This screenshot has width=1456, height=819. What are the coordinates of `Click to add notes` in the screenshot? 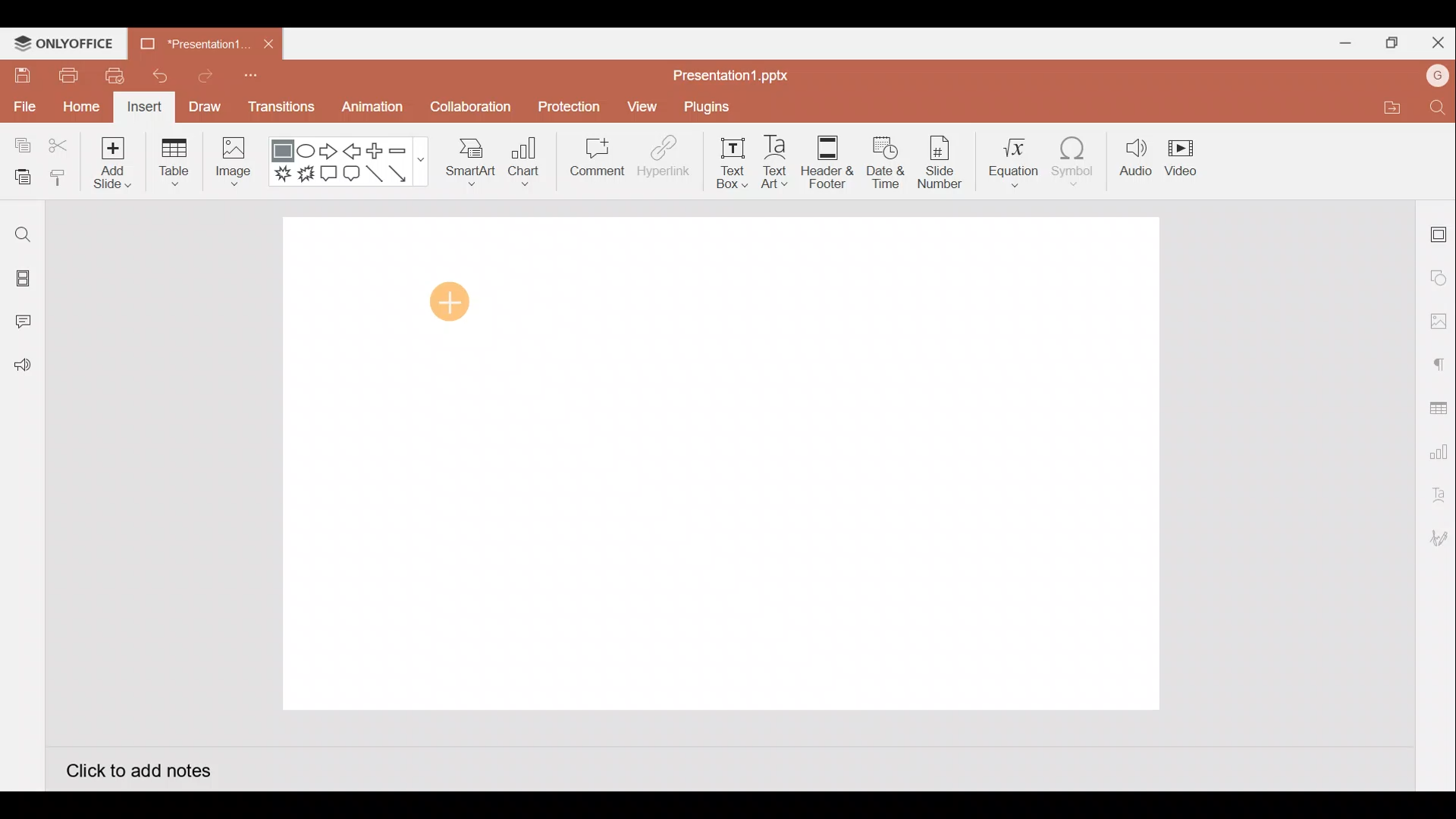 It's located at (138, 769).